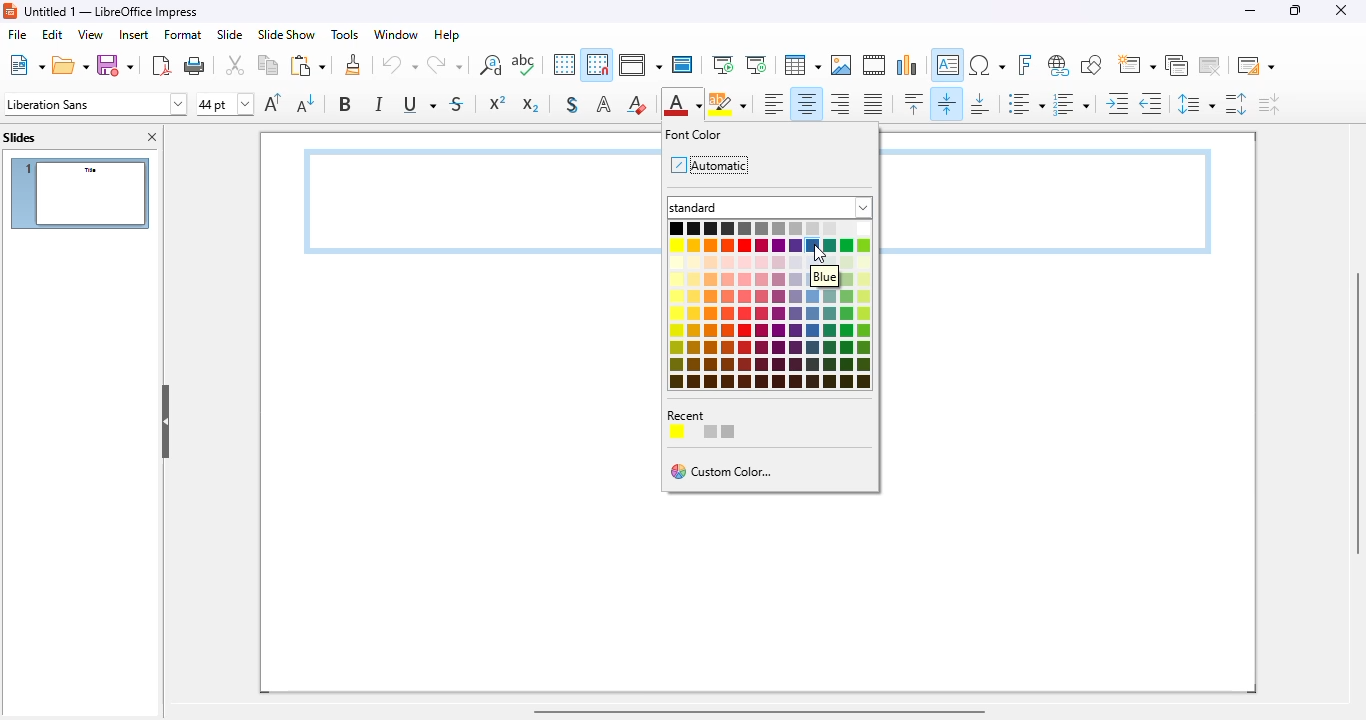 Image resolution: width=1366 pixels, height=720 pixels. Describe the element at coordinates (1256, 65) in the screenshot. I see `slide layout` at that location.